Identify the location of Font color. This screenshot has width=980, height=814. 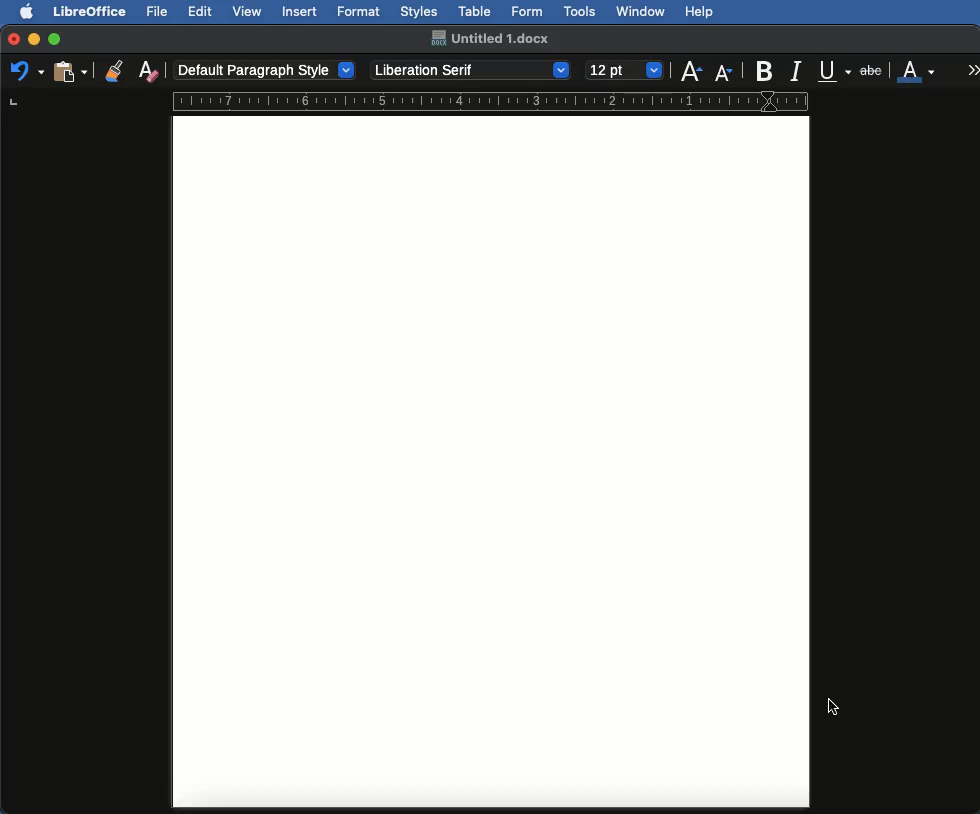
(917, 69).